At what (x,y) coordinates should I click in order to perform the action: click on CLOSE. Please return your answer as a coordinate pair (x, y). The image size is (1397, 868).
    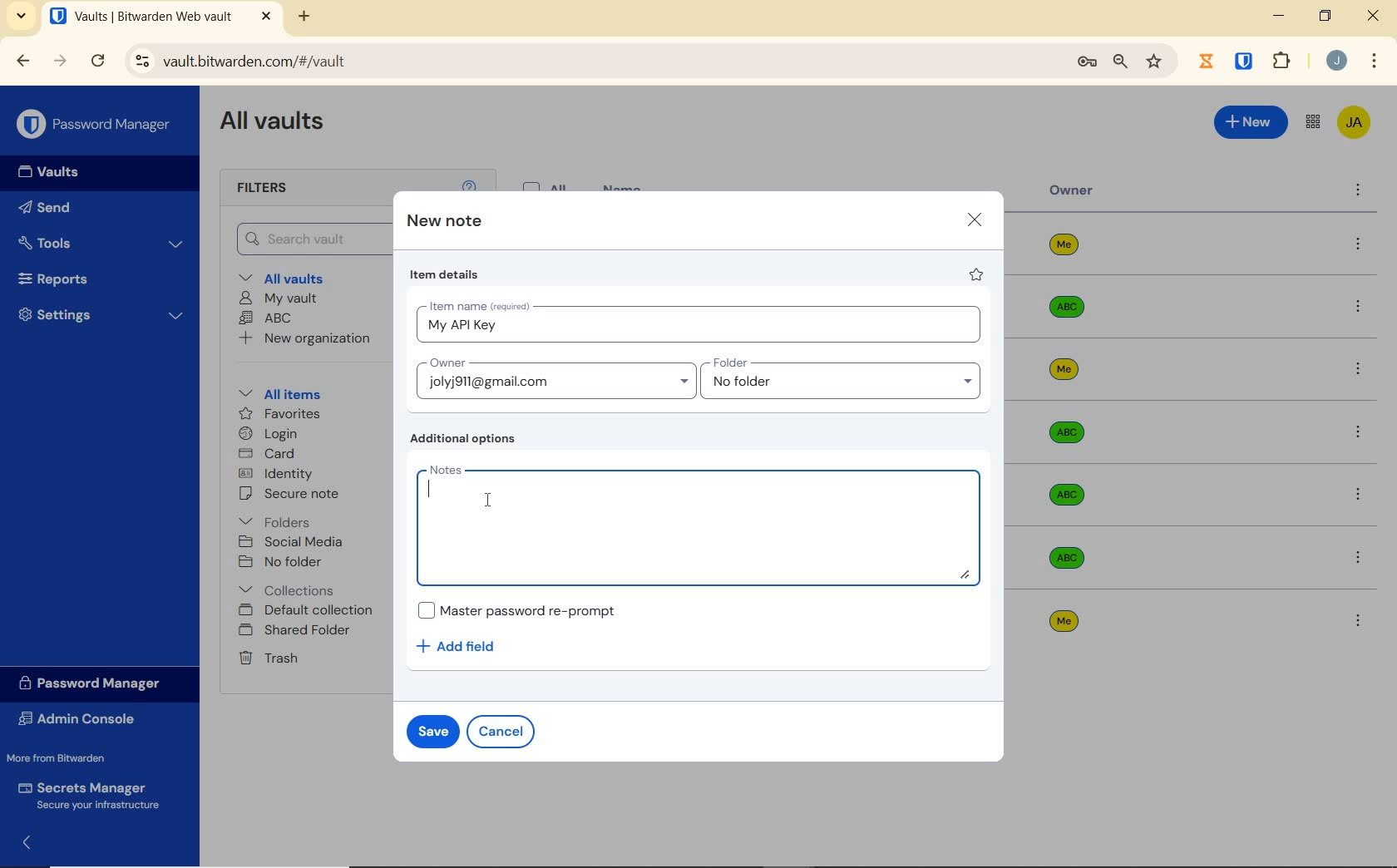
    Looking at the image, I should click on (1375, 20).